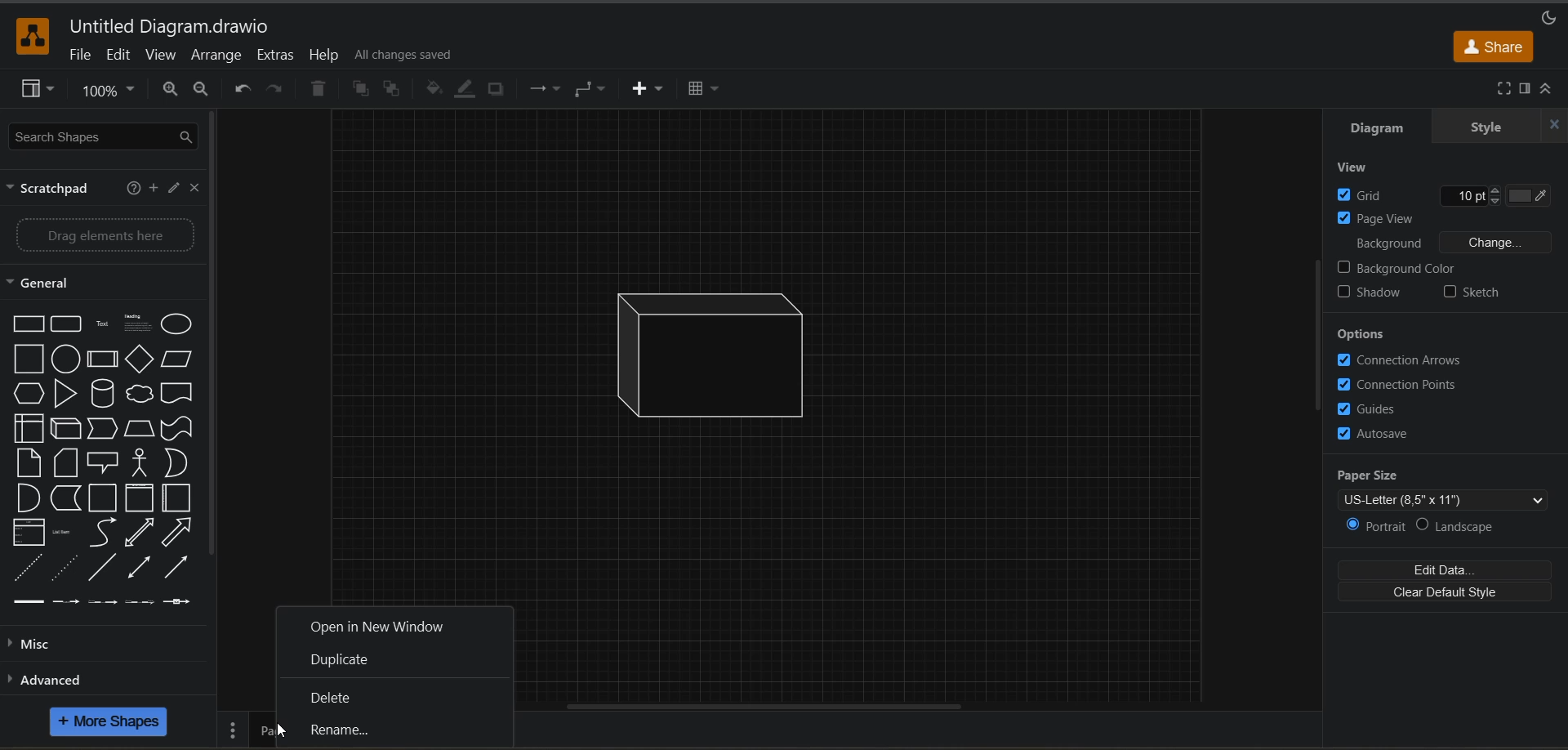 Image resolution: width=1568 pixels, height=750 pixels. Describe the element at coordinates (1439, 219) in the screenshot. I see `page view` at that location.